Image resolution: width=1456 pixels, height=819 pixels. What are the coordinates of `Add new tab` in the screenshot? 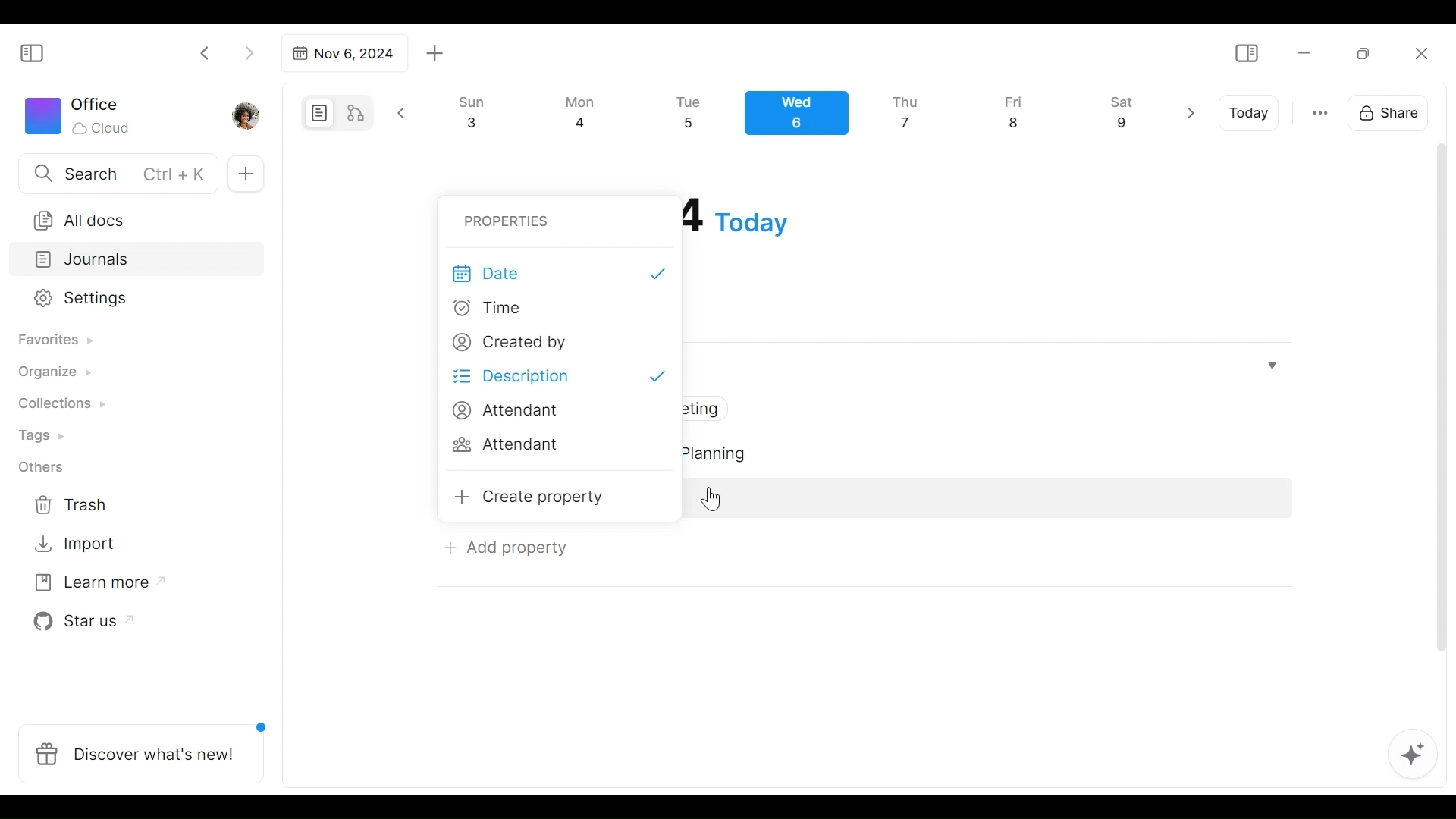 It's located at (435, 54).